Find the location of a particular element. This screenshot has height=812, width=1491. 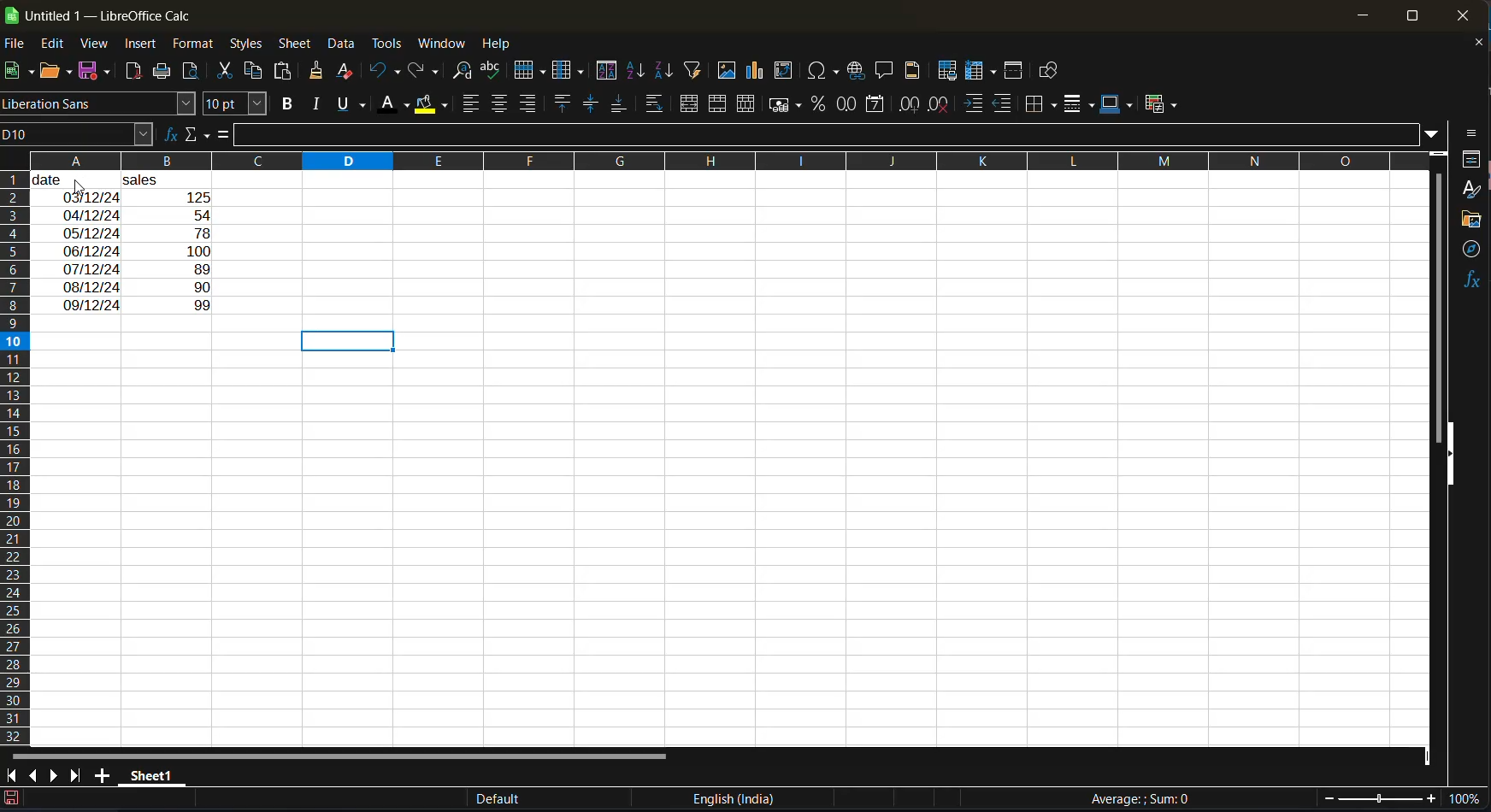

insert special characters is located at coordinates (824, 72).